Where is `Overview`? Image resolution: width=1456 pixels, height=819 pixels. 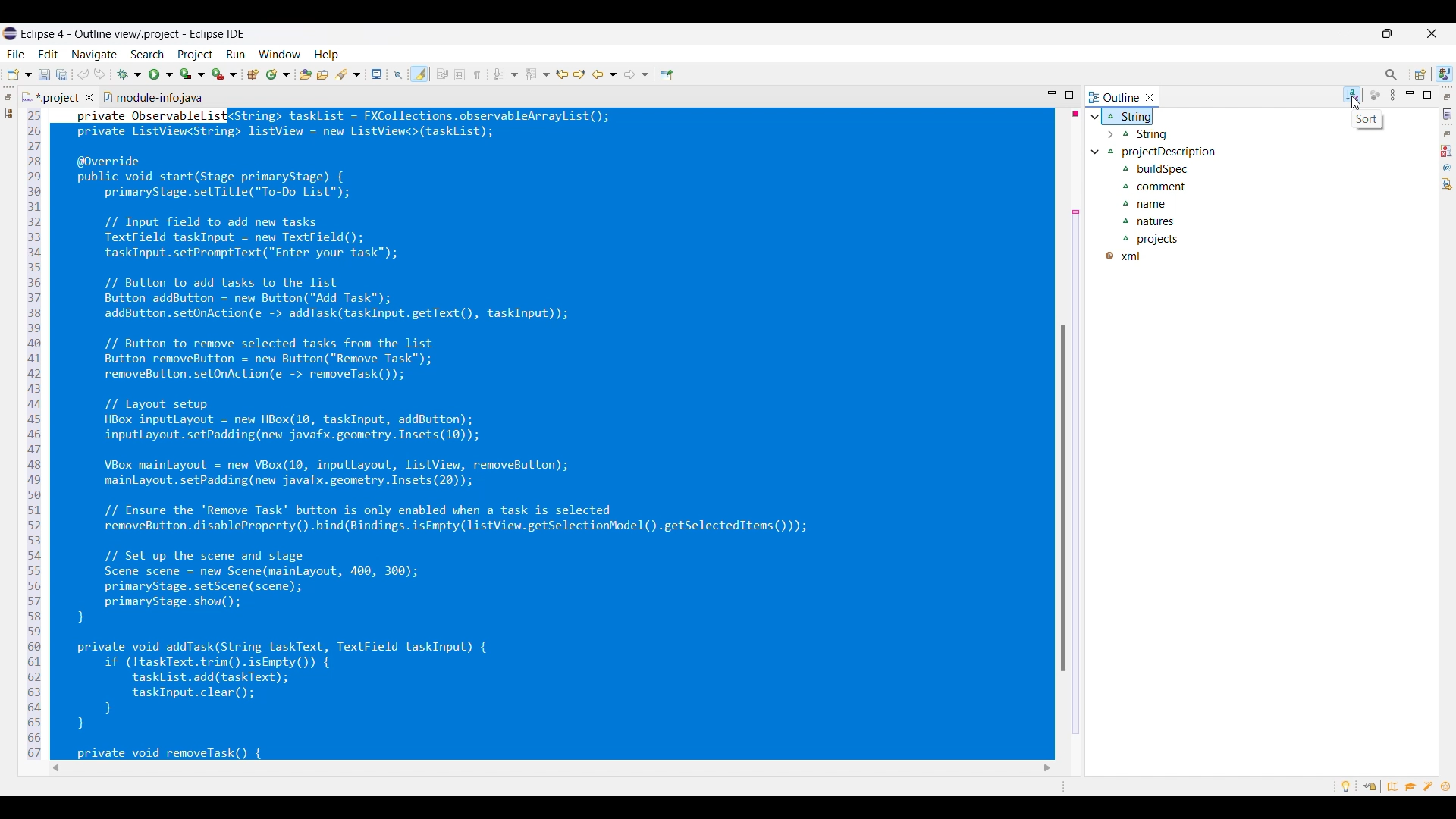 Overview is located at coordinates (1389, 786).